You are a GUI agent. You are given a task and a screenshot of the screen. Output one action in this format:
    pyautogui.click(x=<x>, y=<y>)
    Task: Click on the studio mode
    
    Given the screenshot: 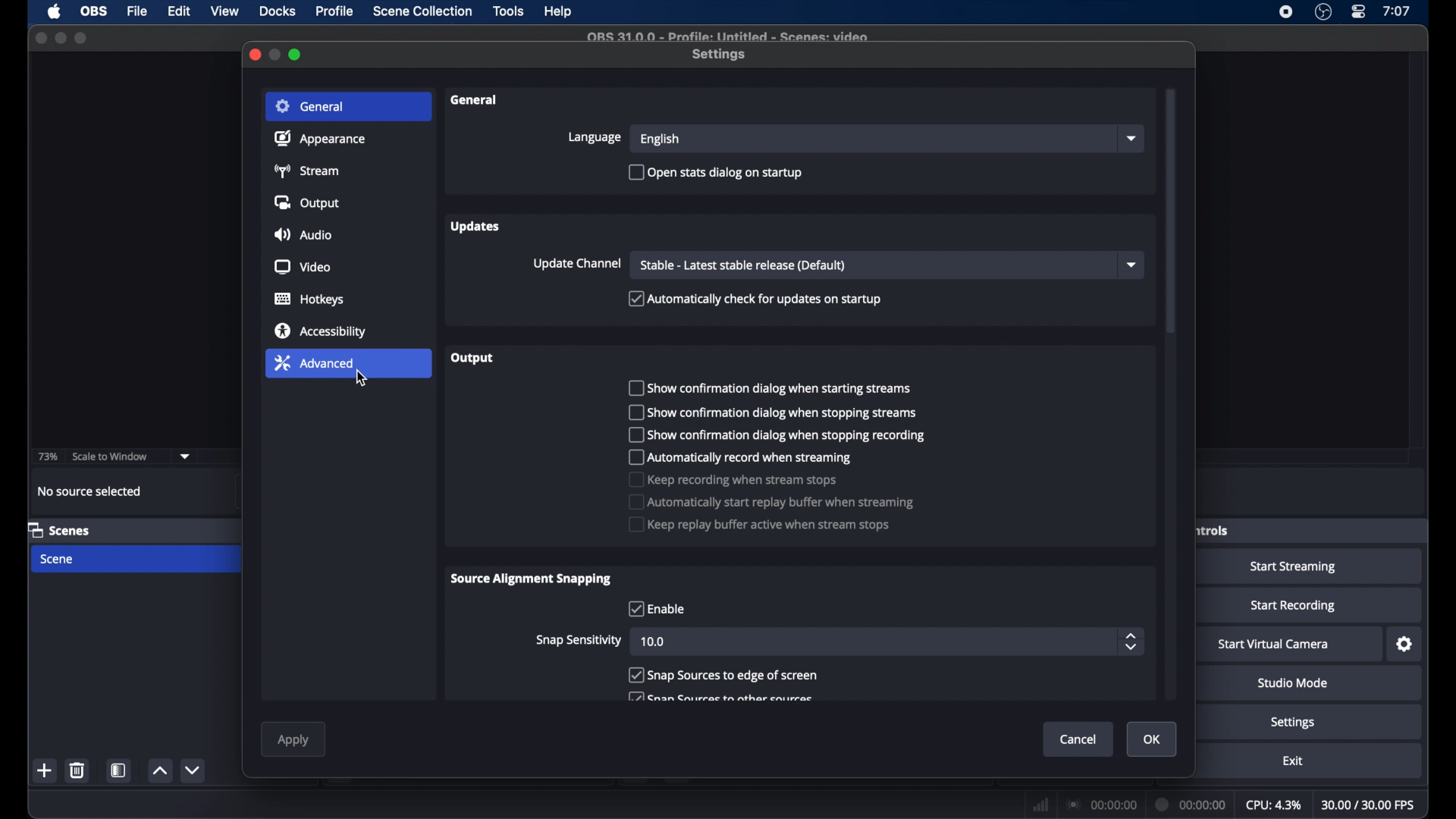 What is the action you would take?
    pyautogui.click(x=1294, y=683)
    